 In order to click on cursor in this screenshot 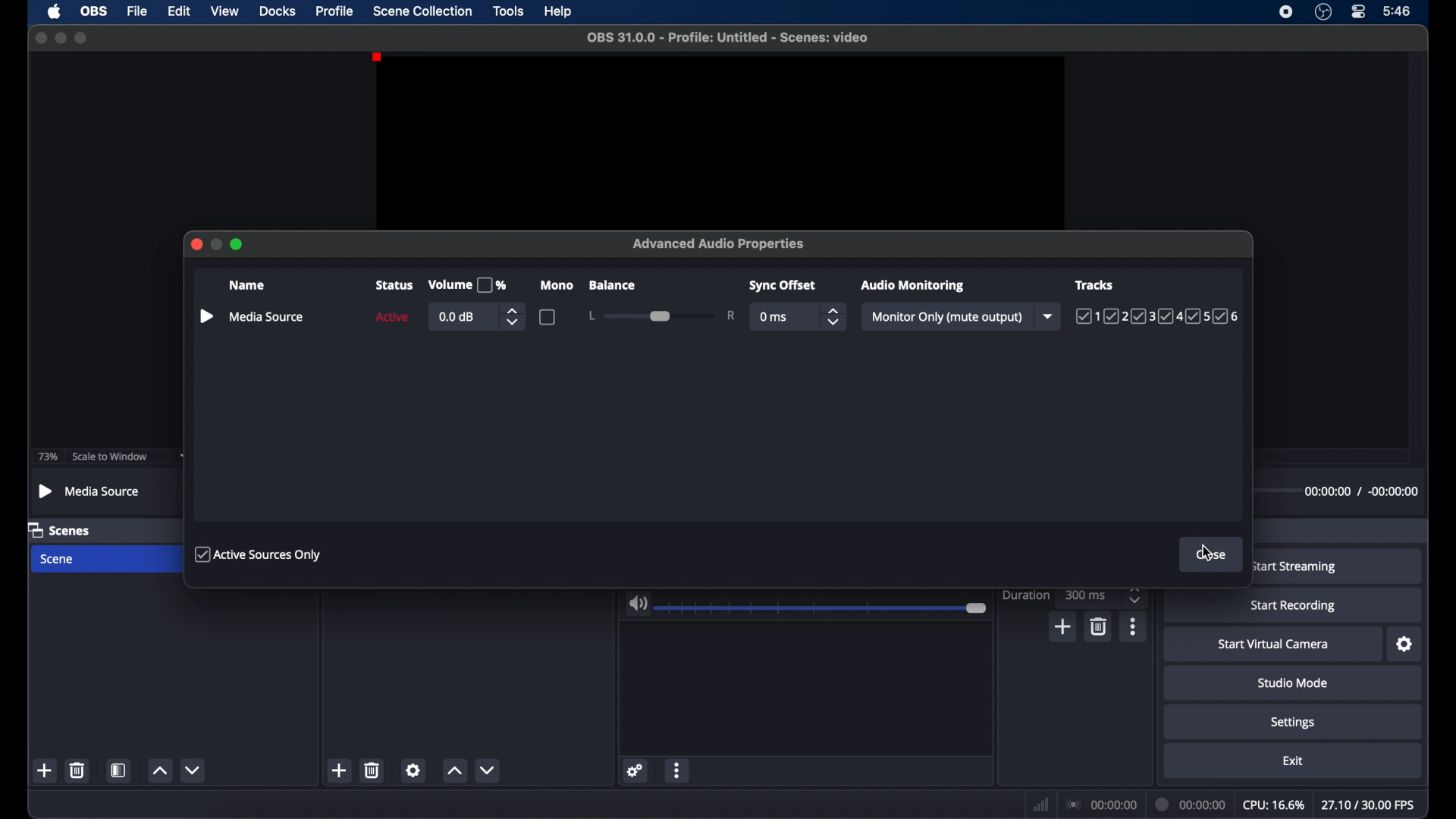, I will do `click(1210, 552)`.